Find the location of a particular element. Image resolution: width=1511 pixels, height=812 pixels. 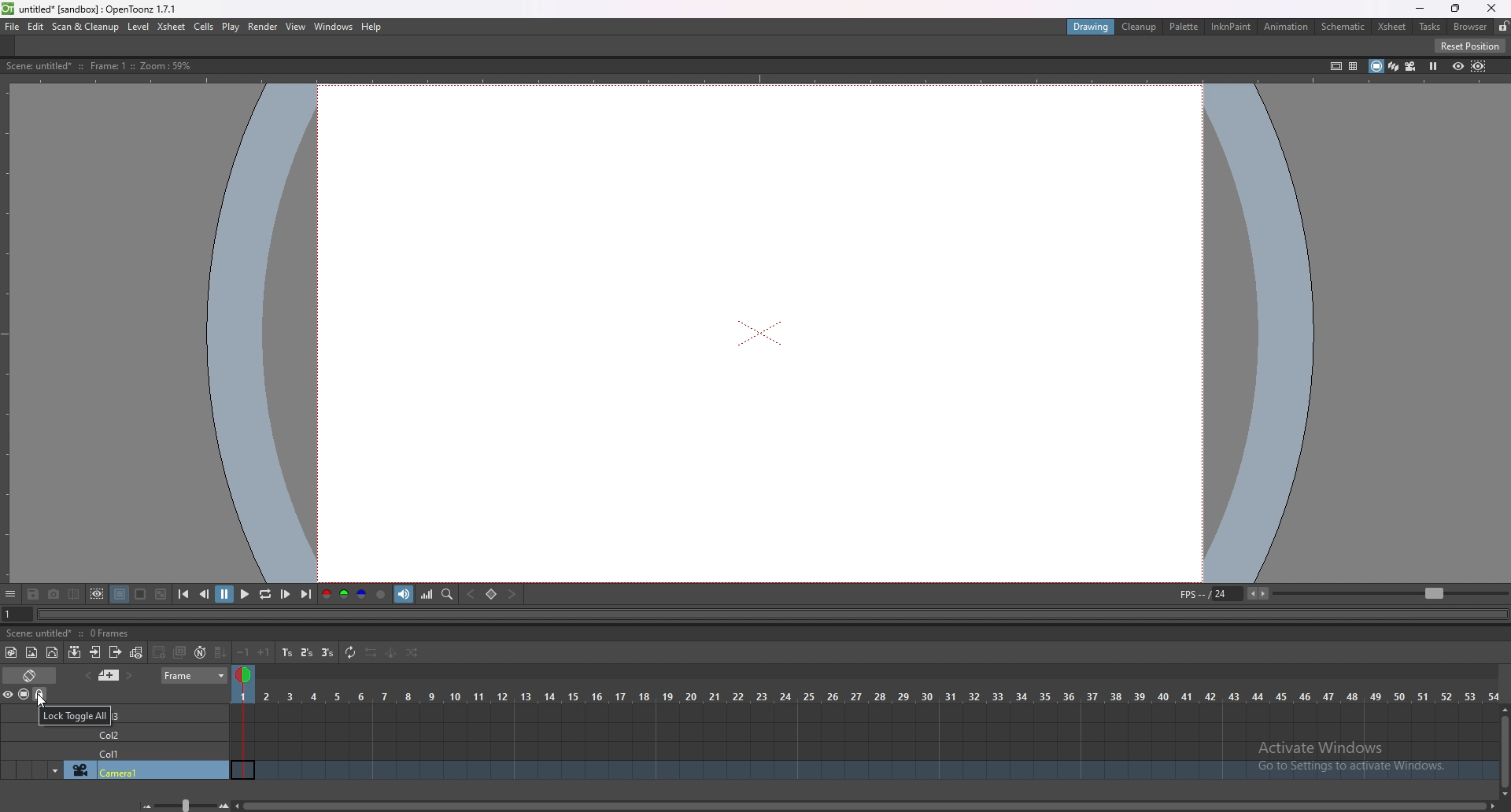

zoom is located at coordinates (180, 805).